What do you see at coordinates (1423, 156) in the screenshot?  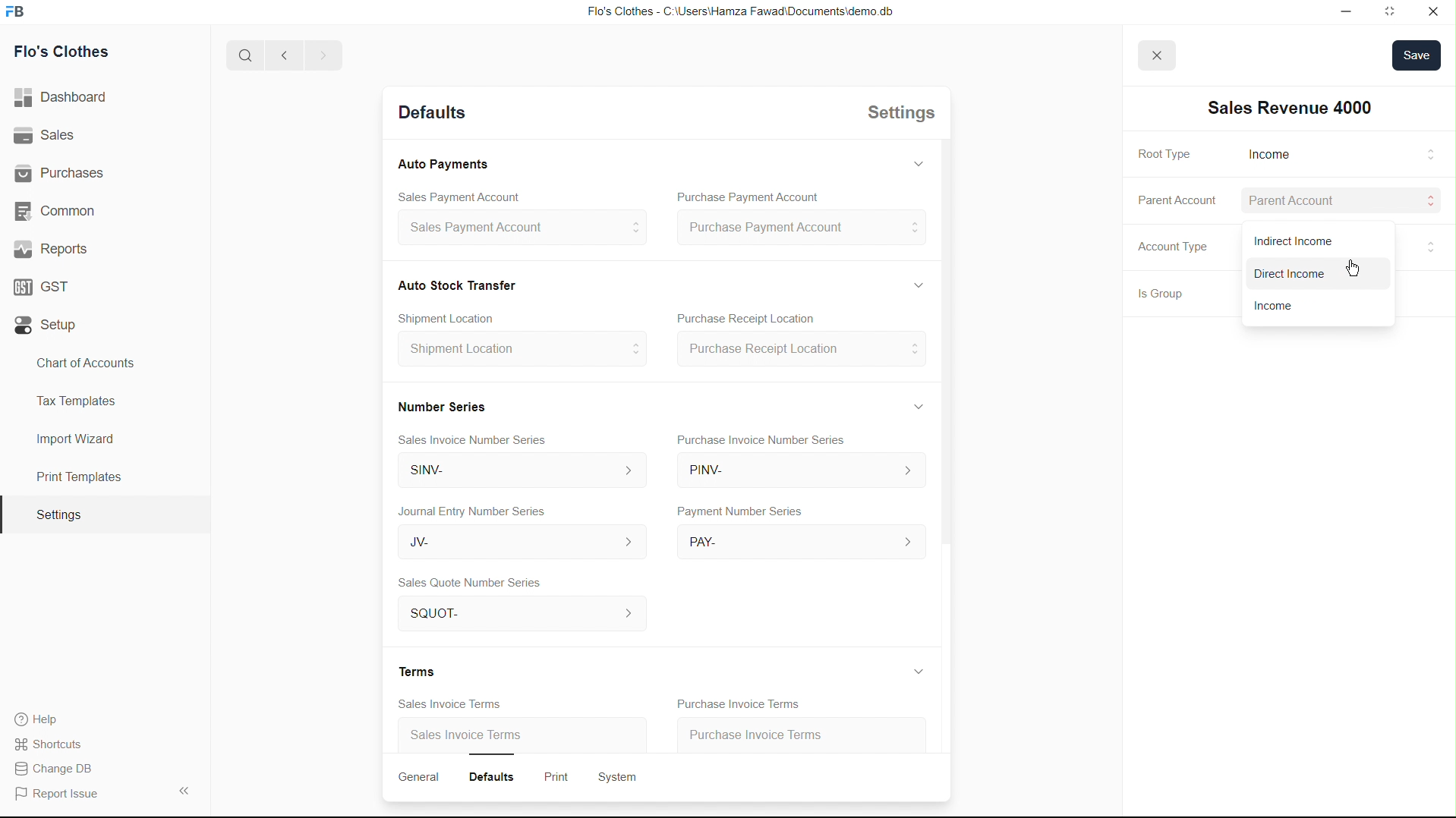 I see `` at bounding box center [1423, 156].